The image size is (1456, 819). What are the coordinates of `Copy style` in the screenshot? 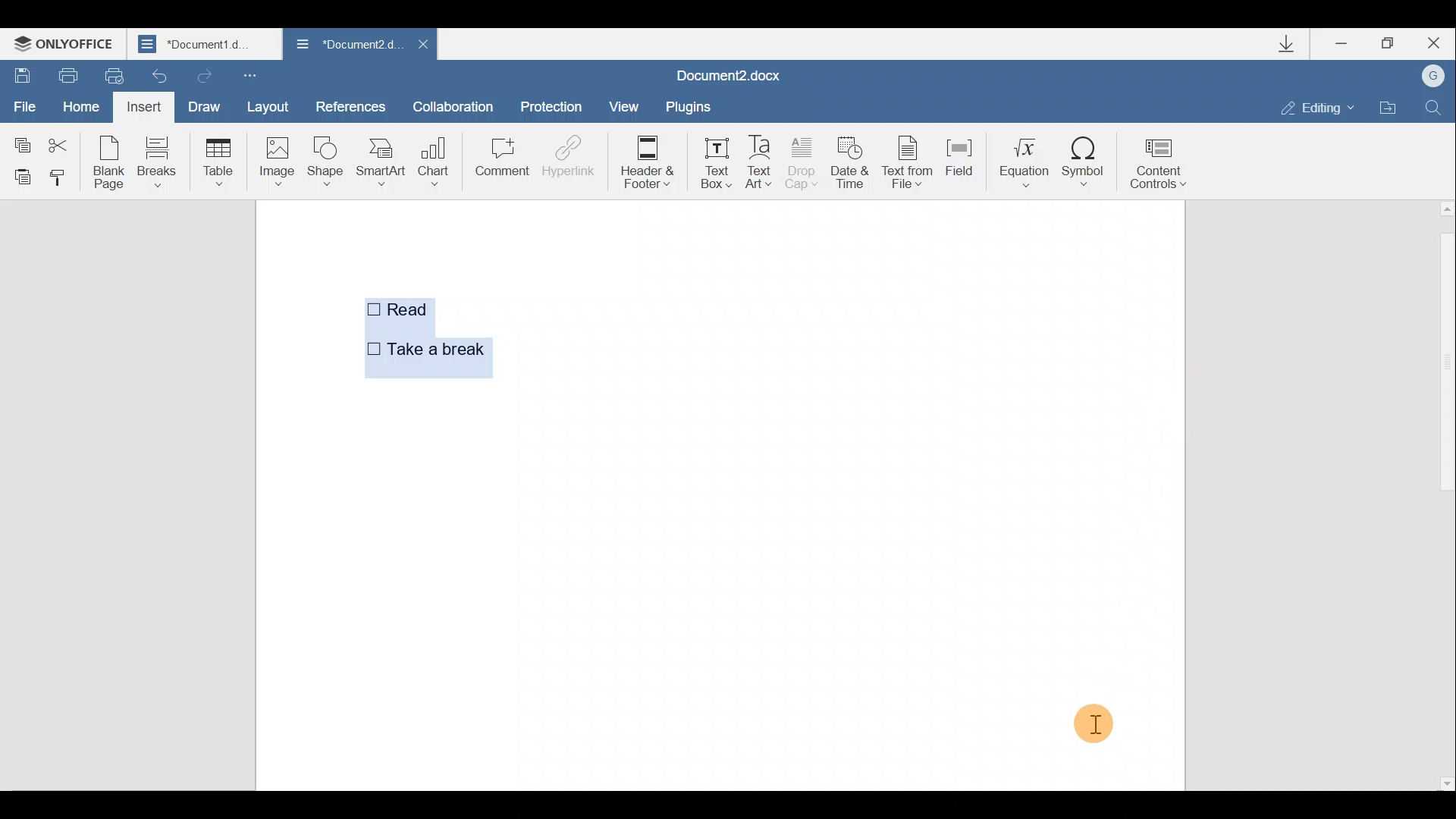 It's located at (62, 178).